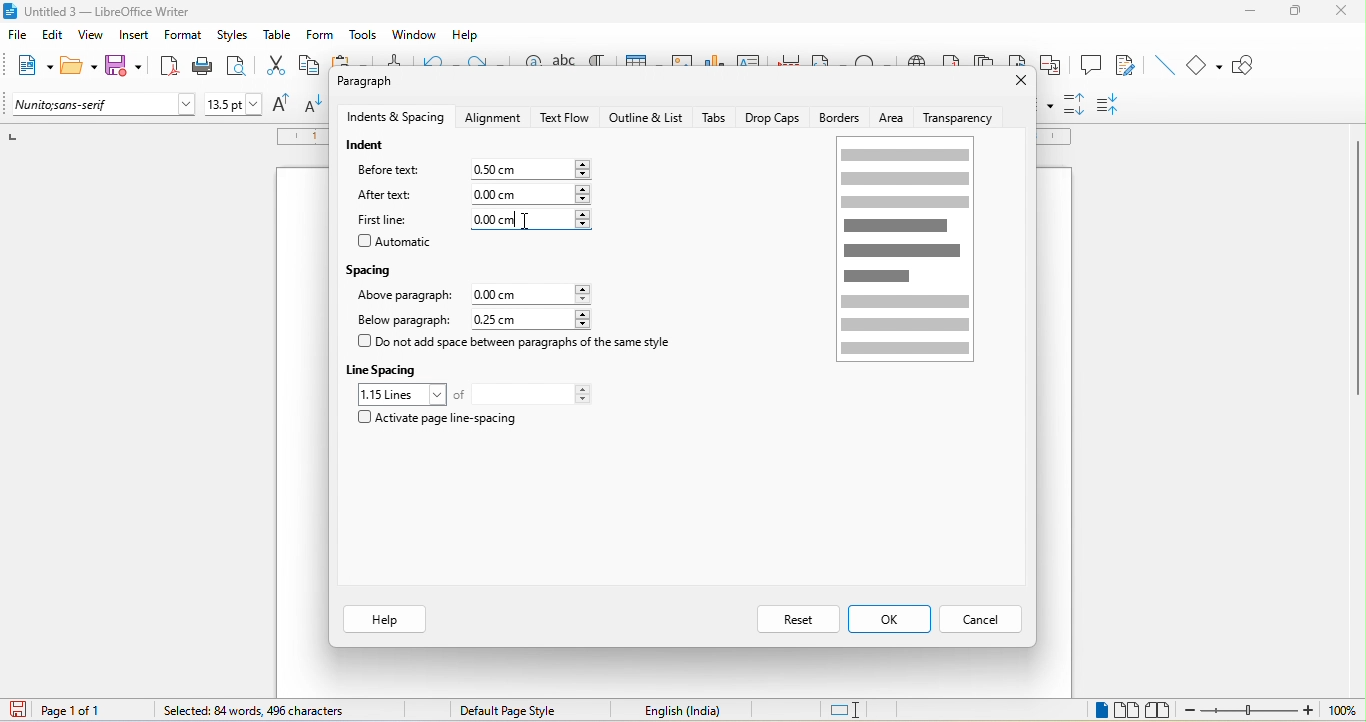  I want to click on close, so click(1019, 79).